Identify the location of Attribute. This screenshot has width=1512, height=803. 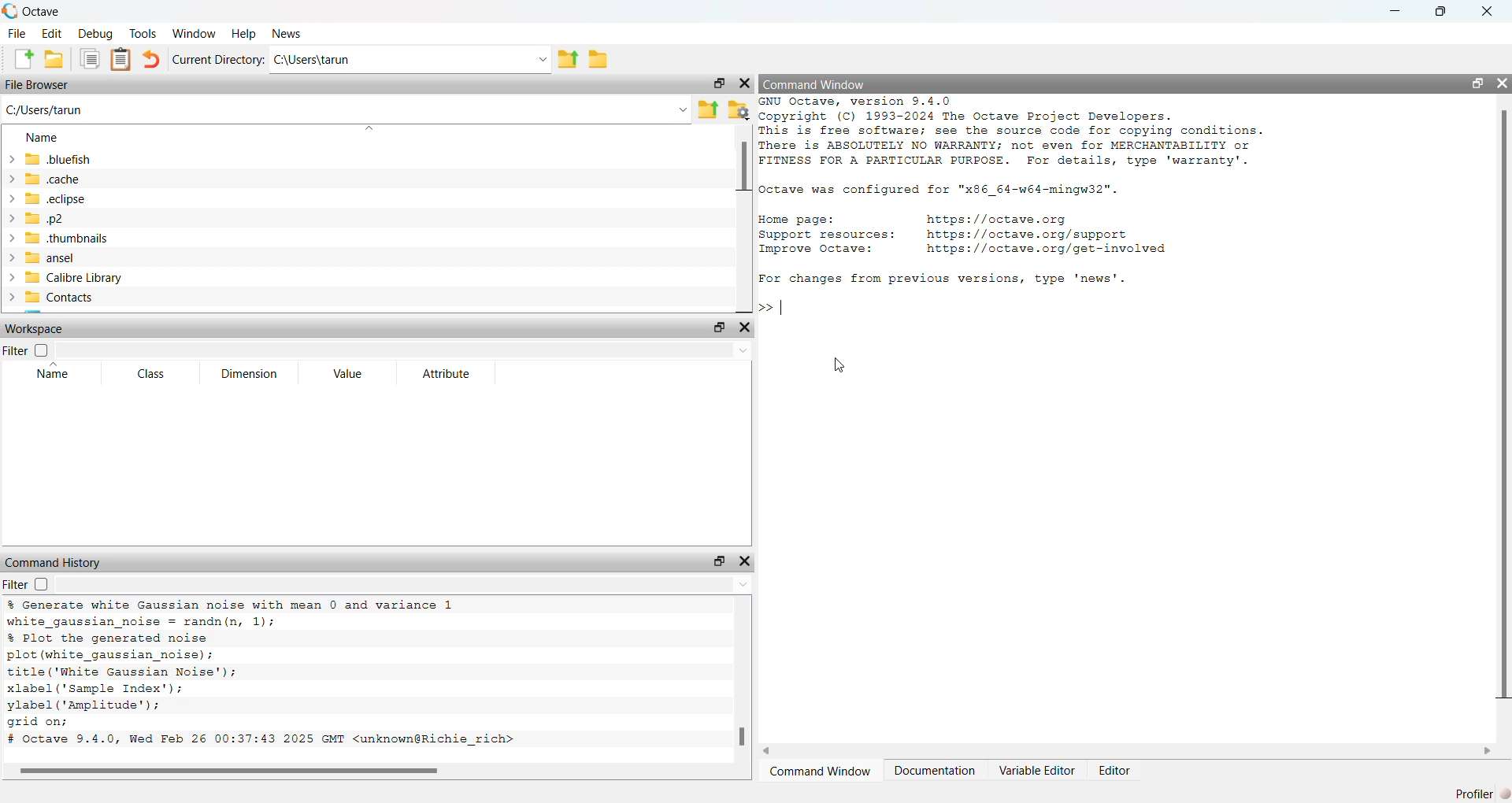
(448, 375).